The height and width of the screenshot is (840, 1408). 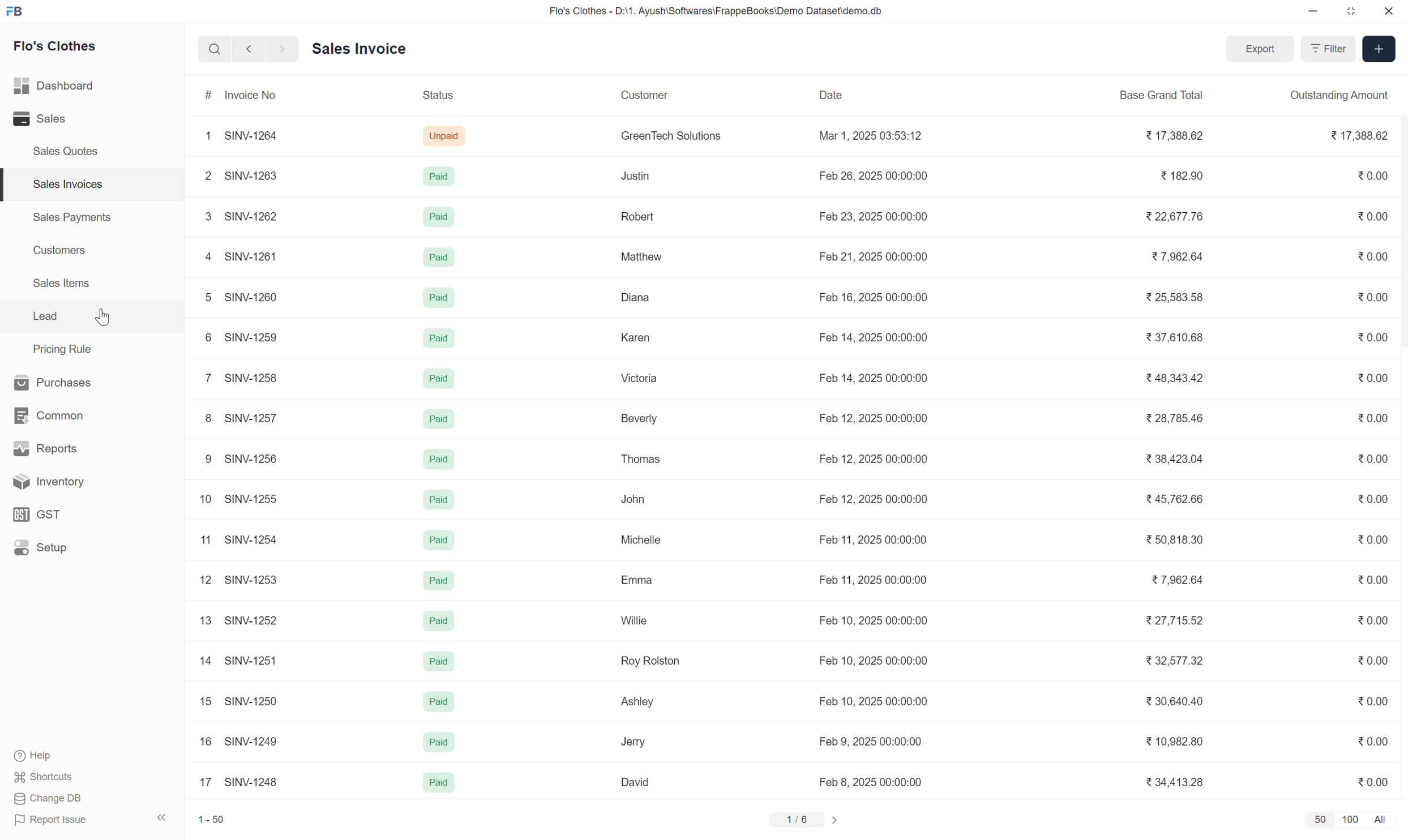 I want to click on 330,640.40, so click(x=1172, y=701).